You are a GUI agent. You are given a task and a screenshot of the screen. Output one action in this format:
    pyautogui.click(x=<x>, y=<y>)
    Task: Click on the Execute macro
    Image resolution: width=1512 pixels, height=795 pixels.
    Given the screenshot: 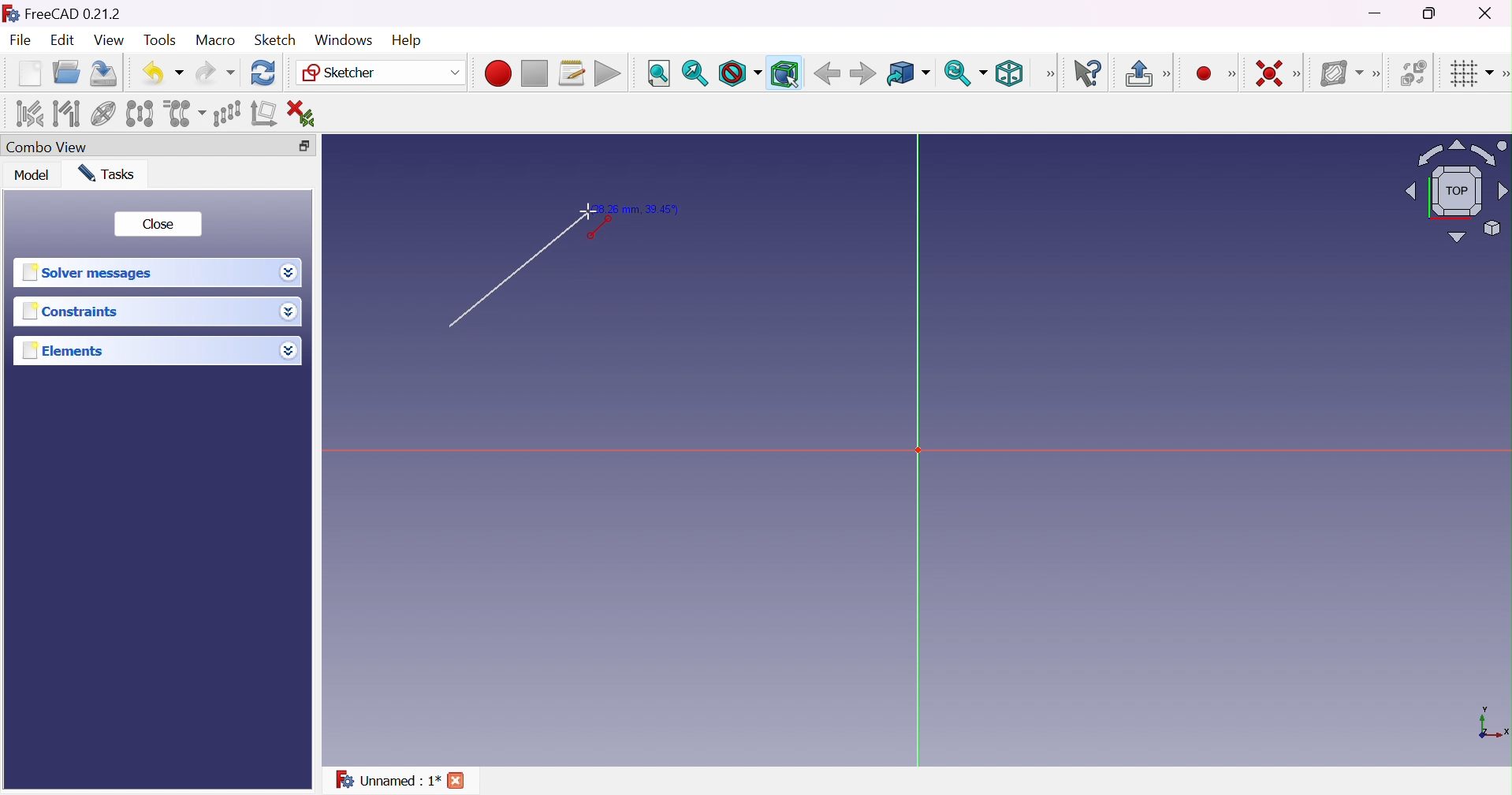 What is the action you would take?
    pyautogui.click(x=608, y=73)
    